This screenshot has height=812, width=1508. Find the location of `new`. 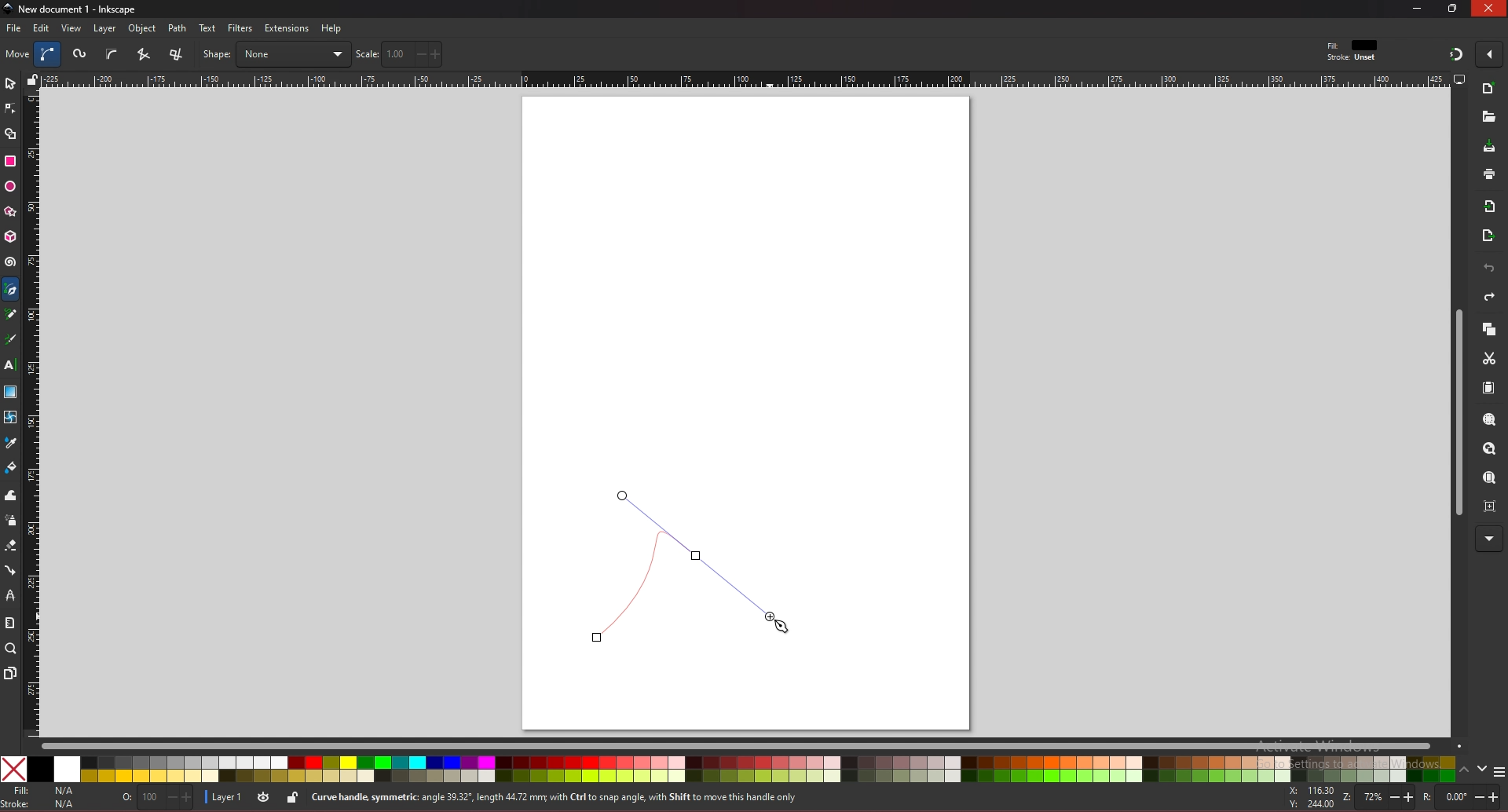

new is located at coordinates (1489, 90).